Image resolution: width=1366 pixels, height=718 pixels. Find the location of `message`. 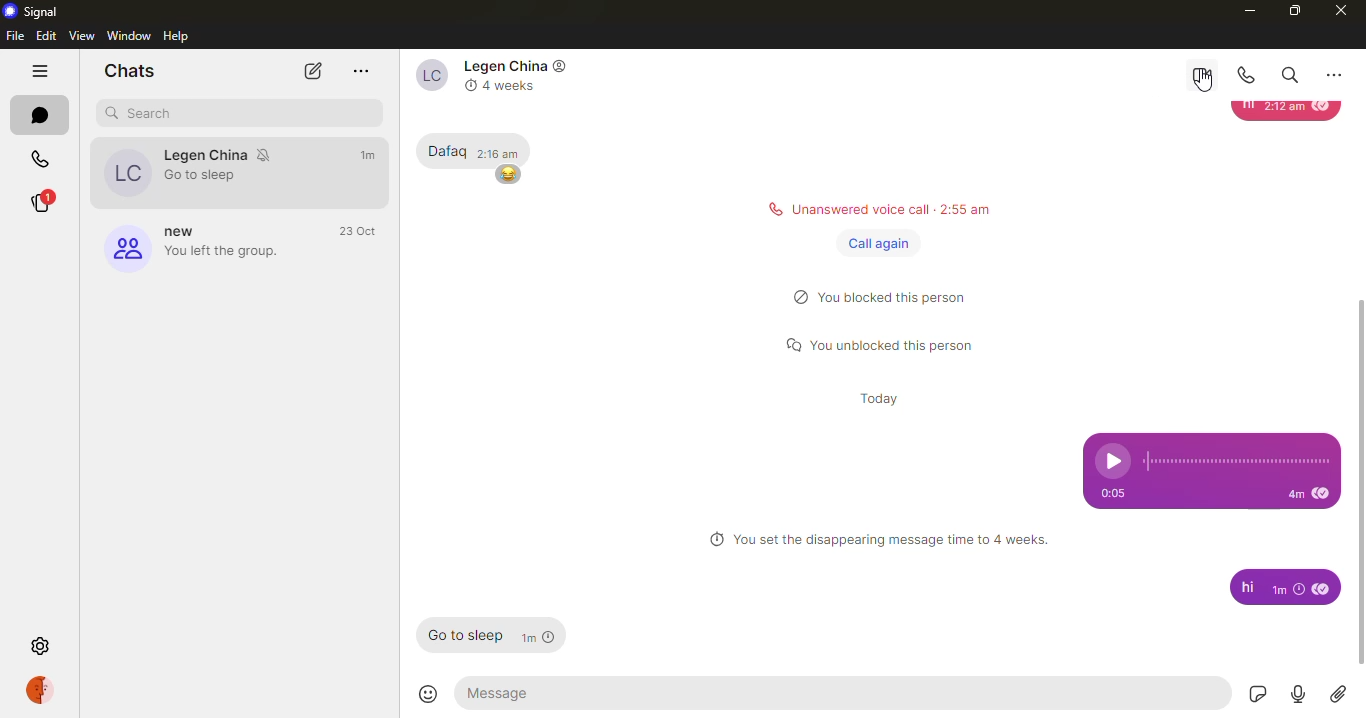

message is located at coordinates (845, 692).